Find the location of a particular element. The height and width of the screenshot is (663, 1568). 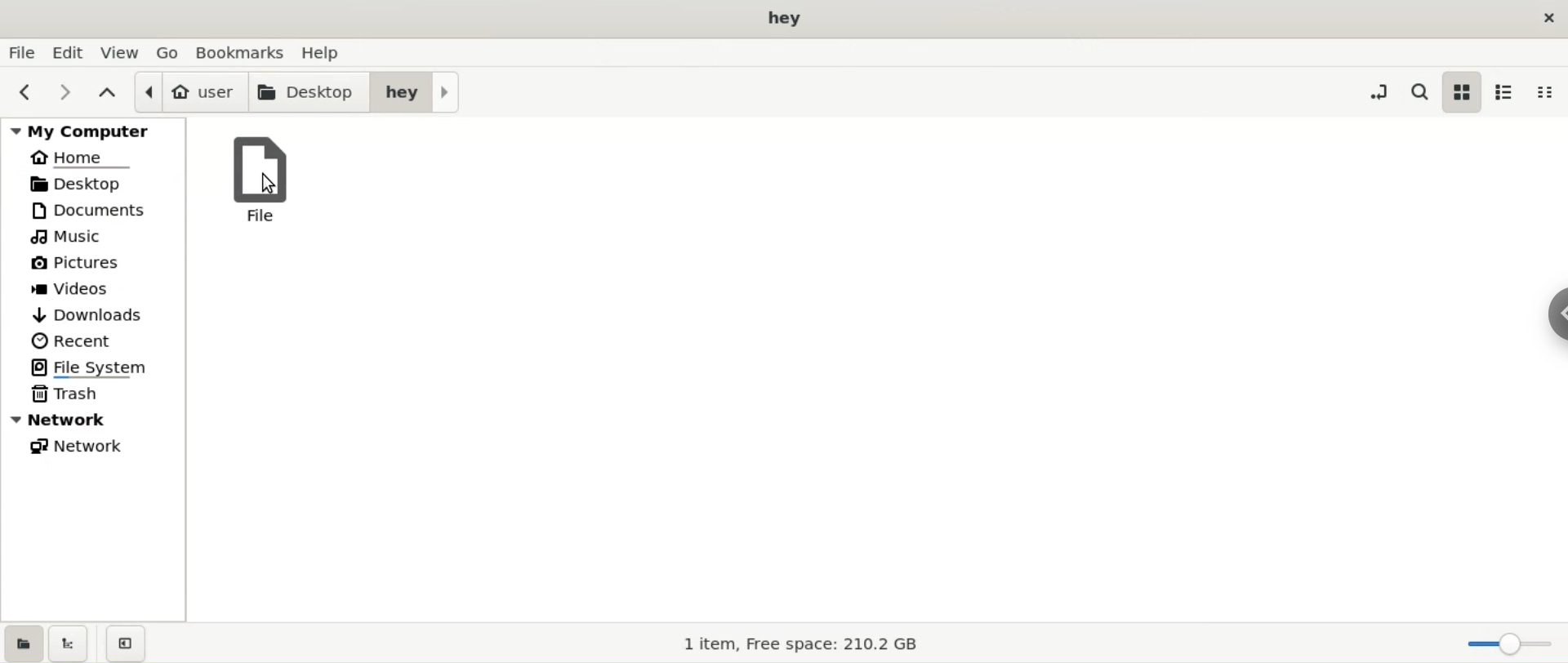

toggle location entry is located at coordinates (1375, 91).